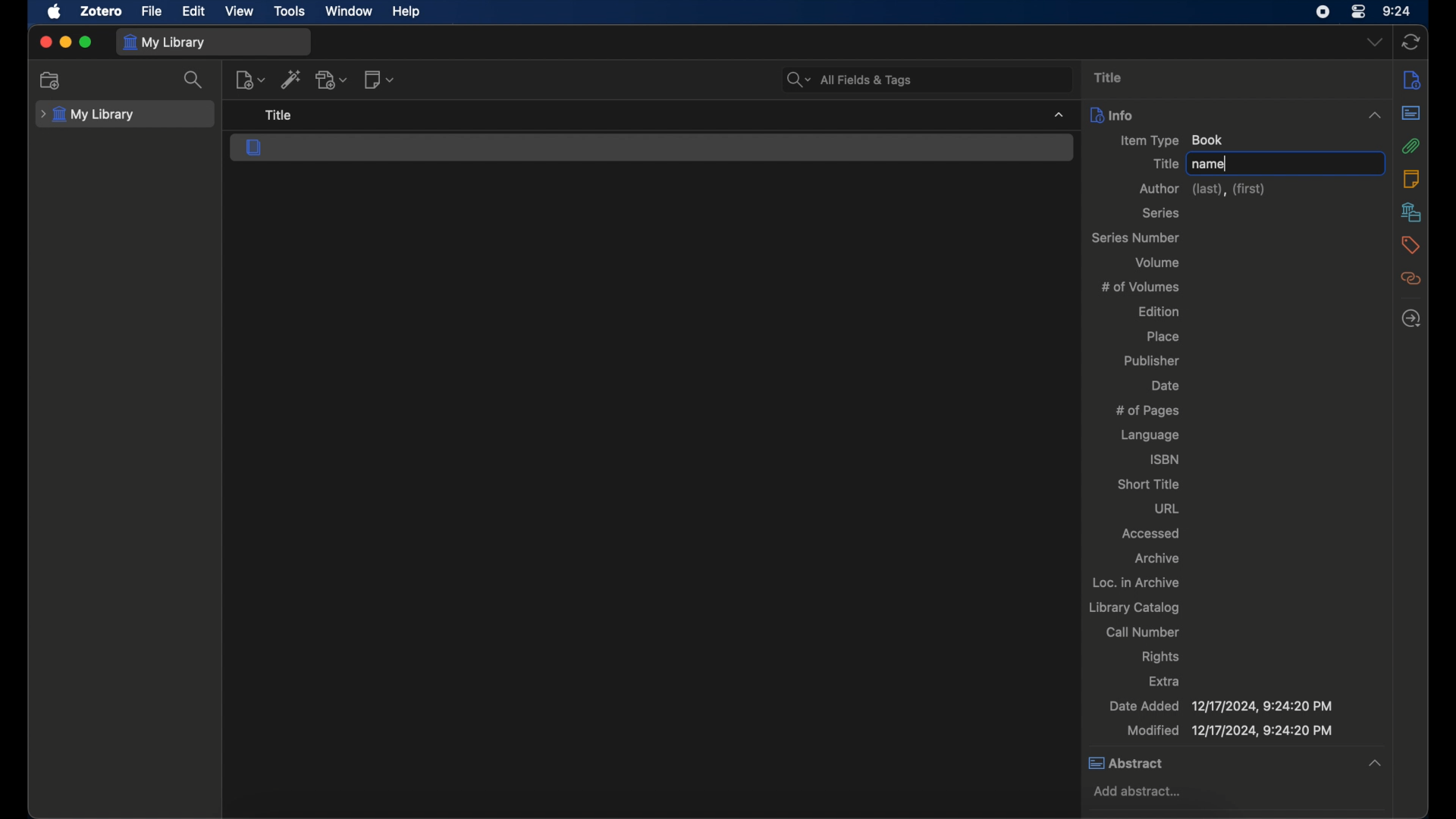 The width and height of the screenshot is (1456, 819). Describe the element at coordinates (1414, 244) in the screenshot. I see `tags` at that location.